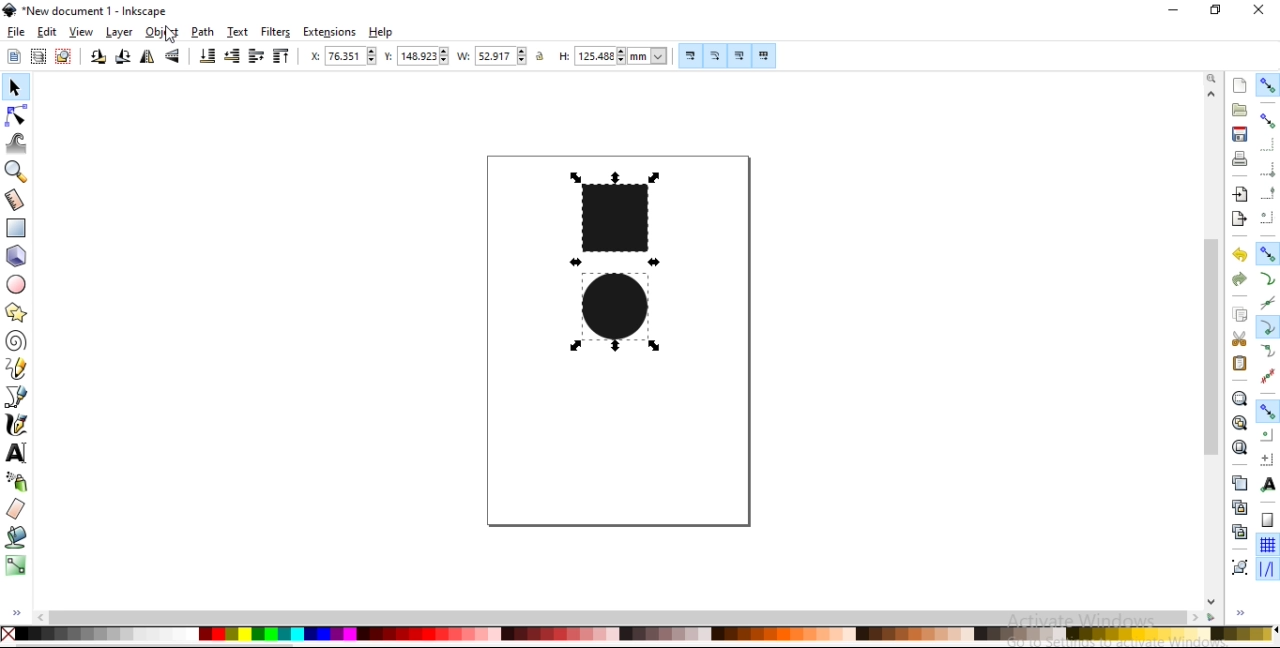 The height and width of the screenshot is (648, 1280). Describe the element at coordinates (1266, 301) in the screenshot. I see `snap to path intersections` at that location.